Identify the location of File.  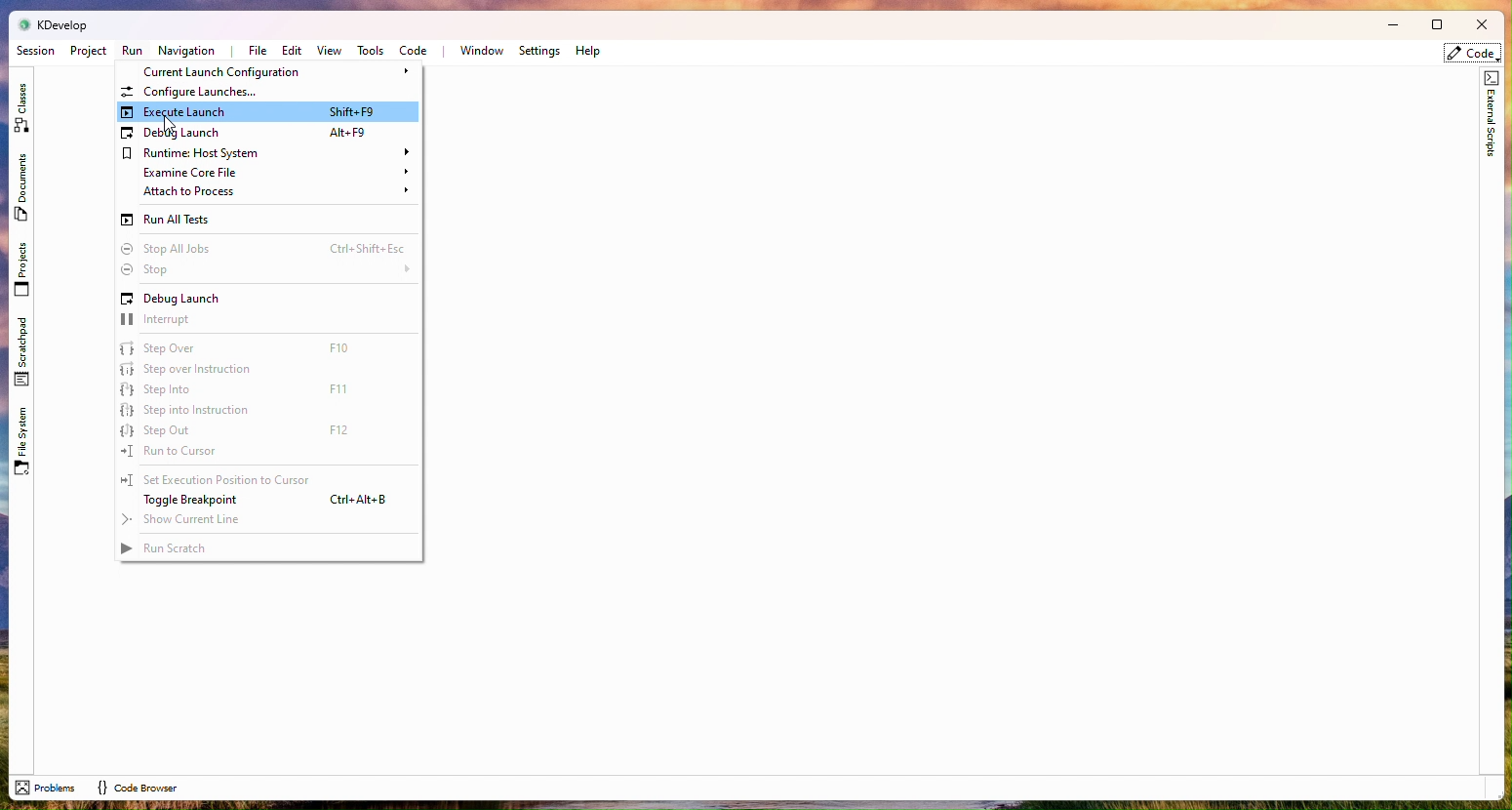
(257, 51).